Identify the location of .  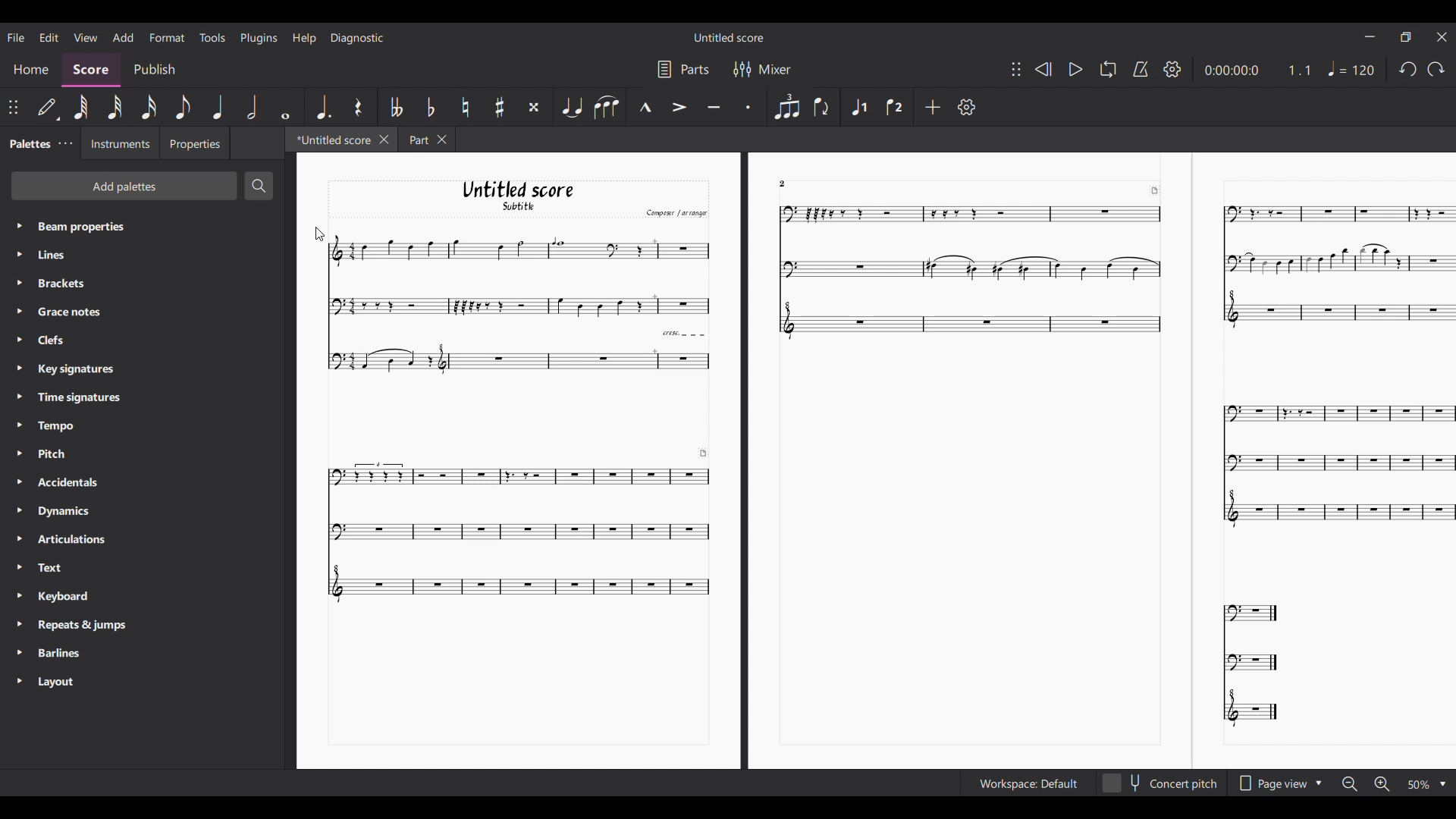
(16, 598).